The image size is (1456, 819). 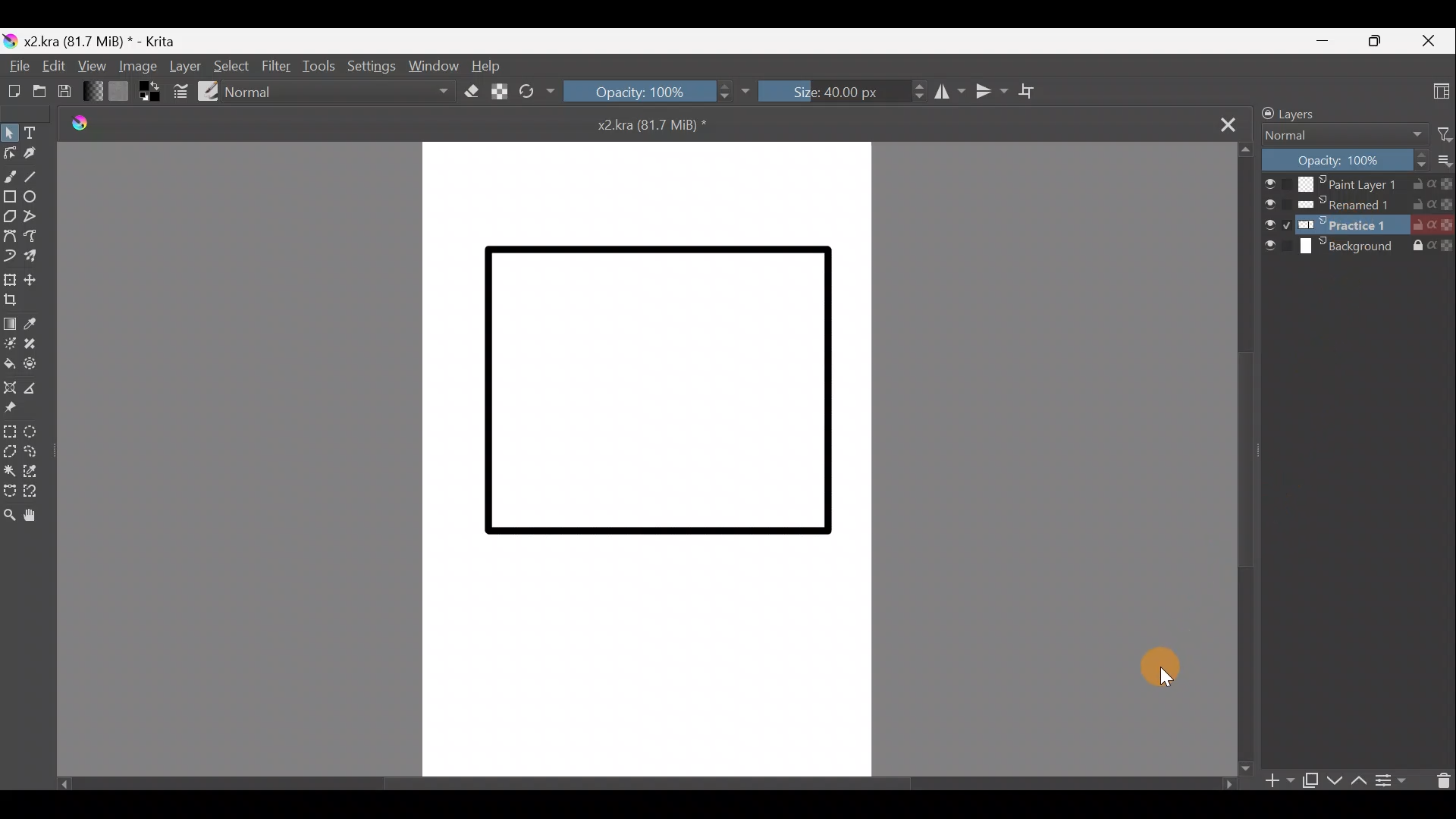 What do you see at coordinates (146, 93) in the screenshot?
I see `Set foreground & background colors` at bounding box center [146, 93].